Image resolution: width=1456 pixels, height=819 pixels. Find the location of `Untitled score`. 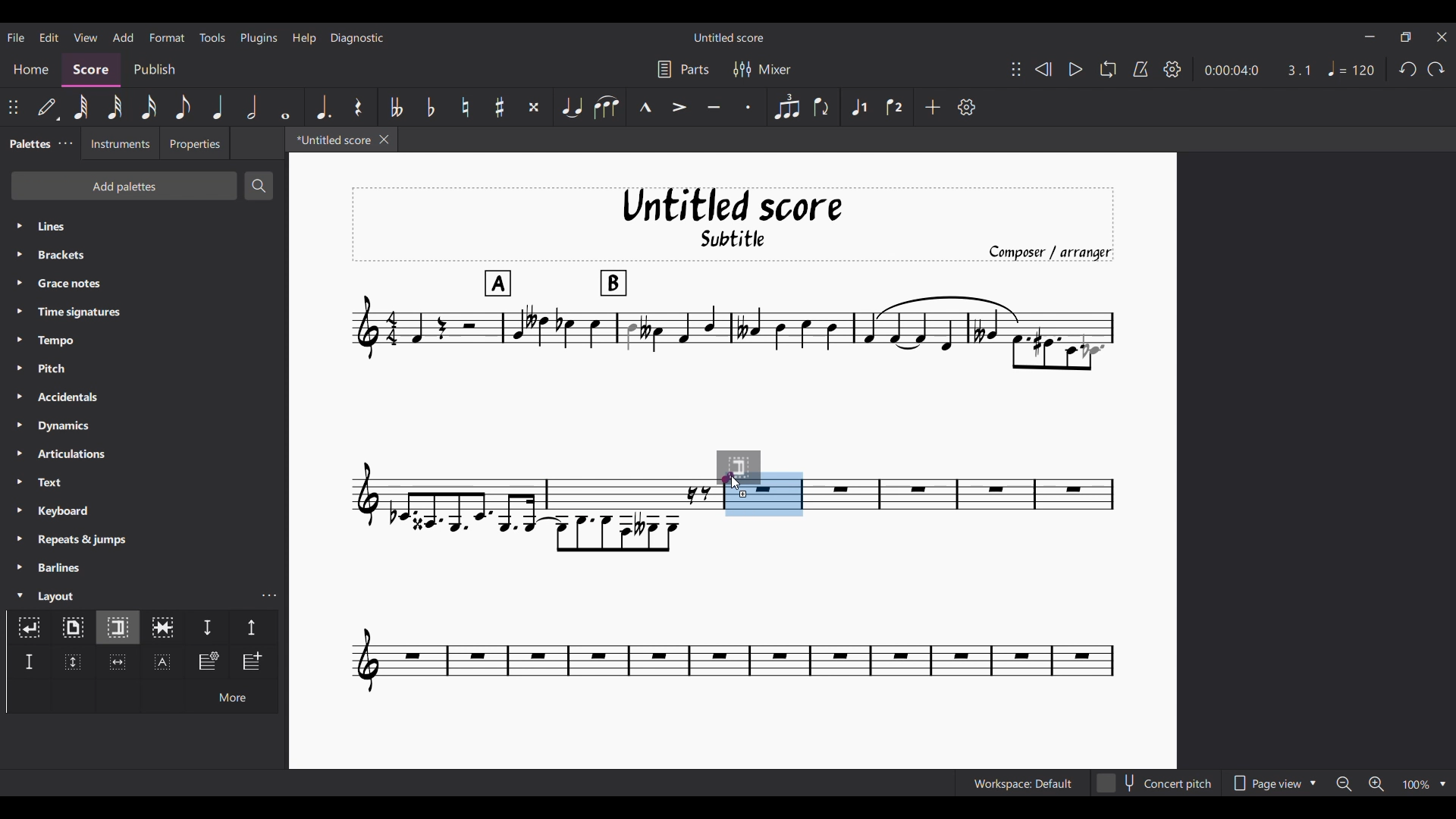

Untitled score is located at coordinates (729, 38).